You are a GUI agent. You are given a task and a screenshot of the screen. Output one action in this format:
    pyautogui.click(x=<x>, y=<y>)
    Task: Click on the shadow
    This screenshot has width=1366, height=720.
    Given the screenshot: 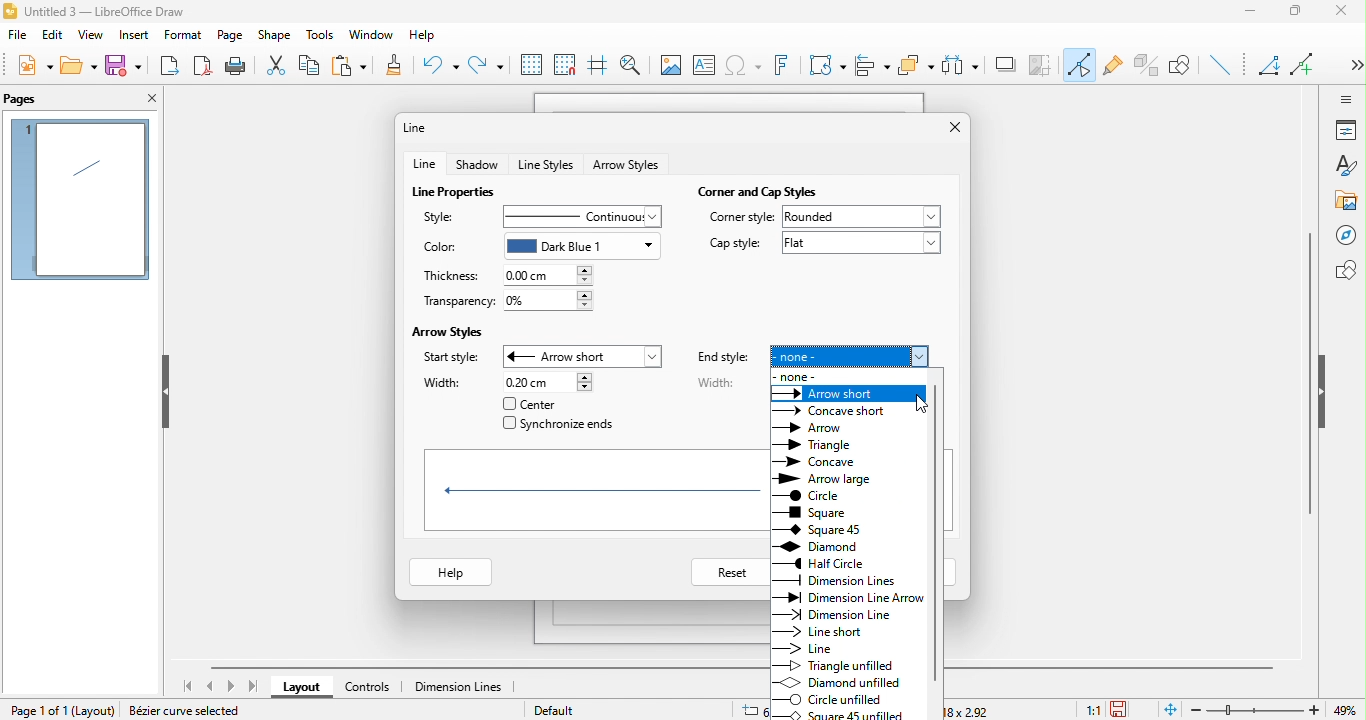 What is the action you would take?
    pyautogui.click(x=479, y=163)
    